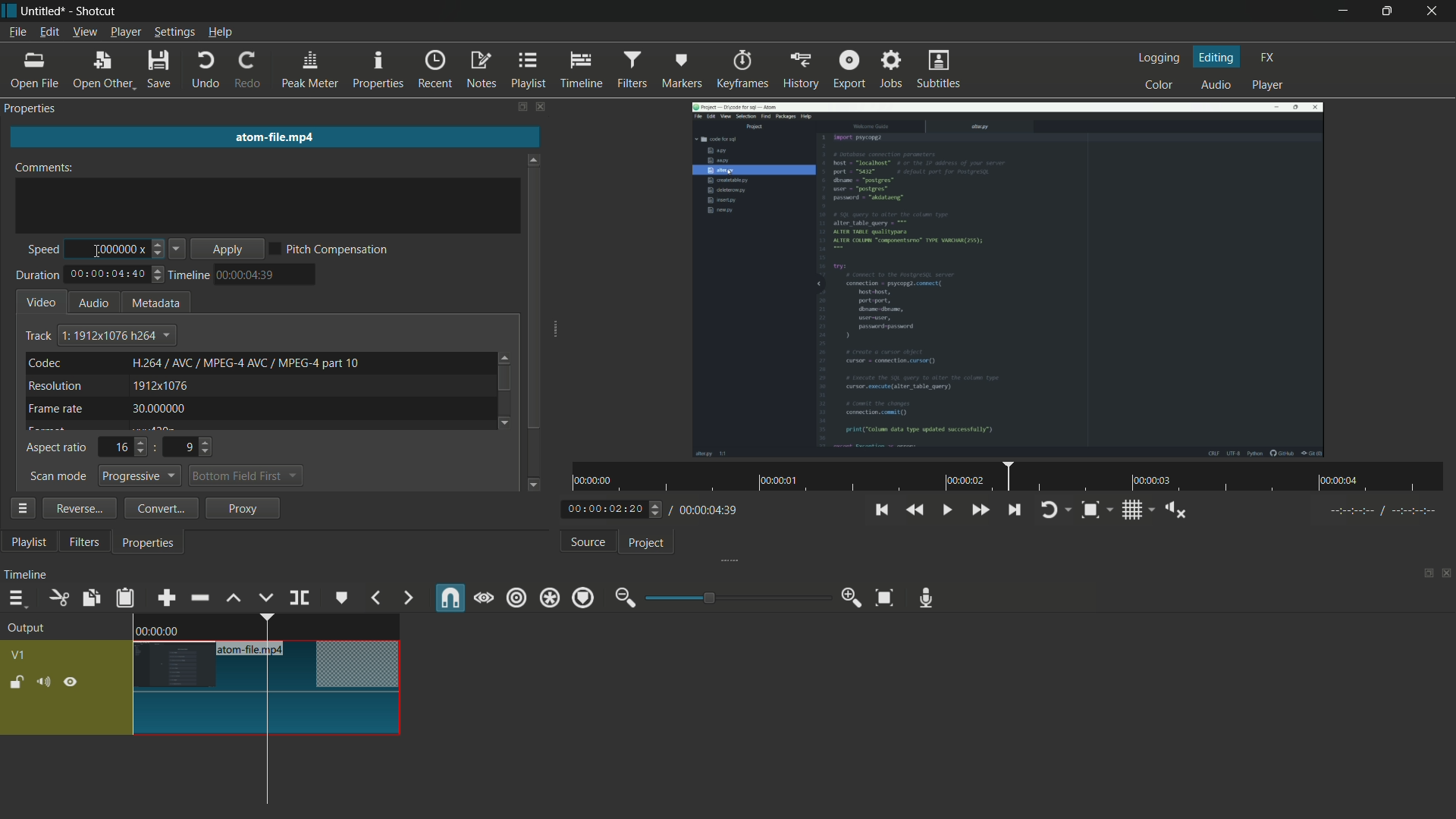  Describe the element at coordinates (246, 362) in the screenshot. I see `text` at that location.